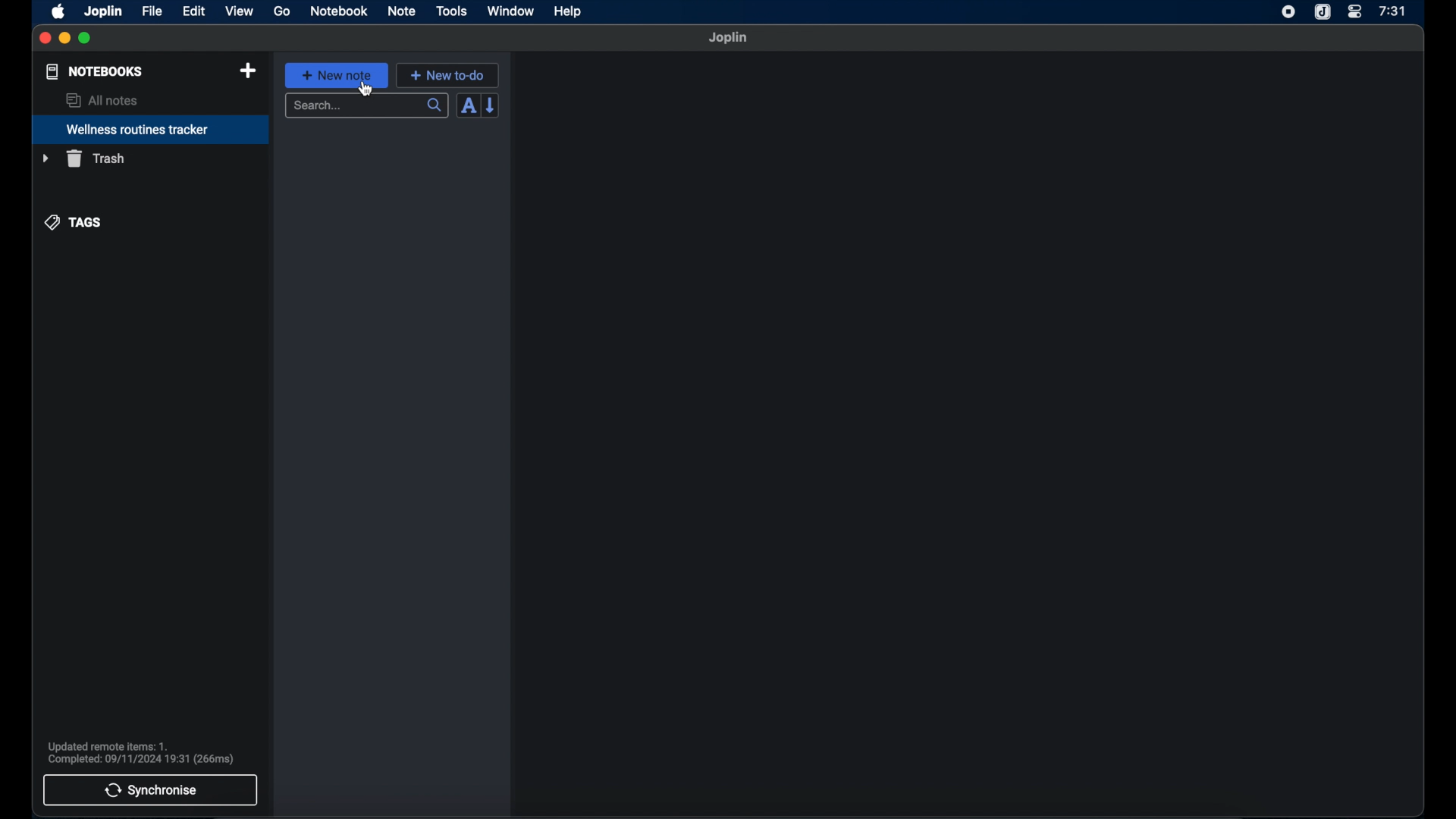  What do you see at coordinates (447, 74) in the screenshot?
I see `new to-do` at bounding box center [447, 74].